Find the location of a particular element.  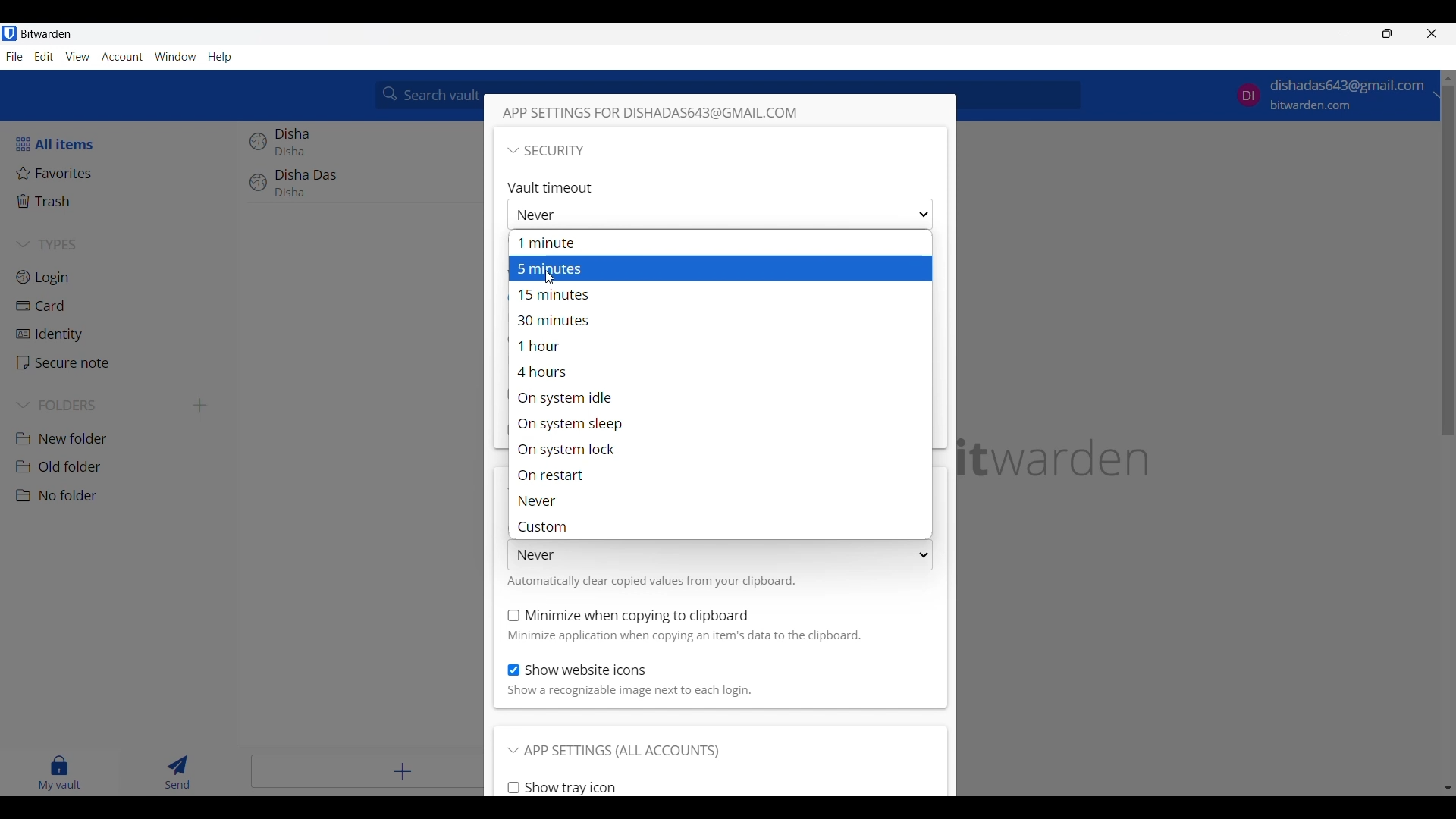

1 minute is located at coordinates (716, 243).